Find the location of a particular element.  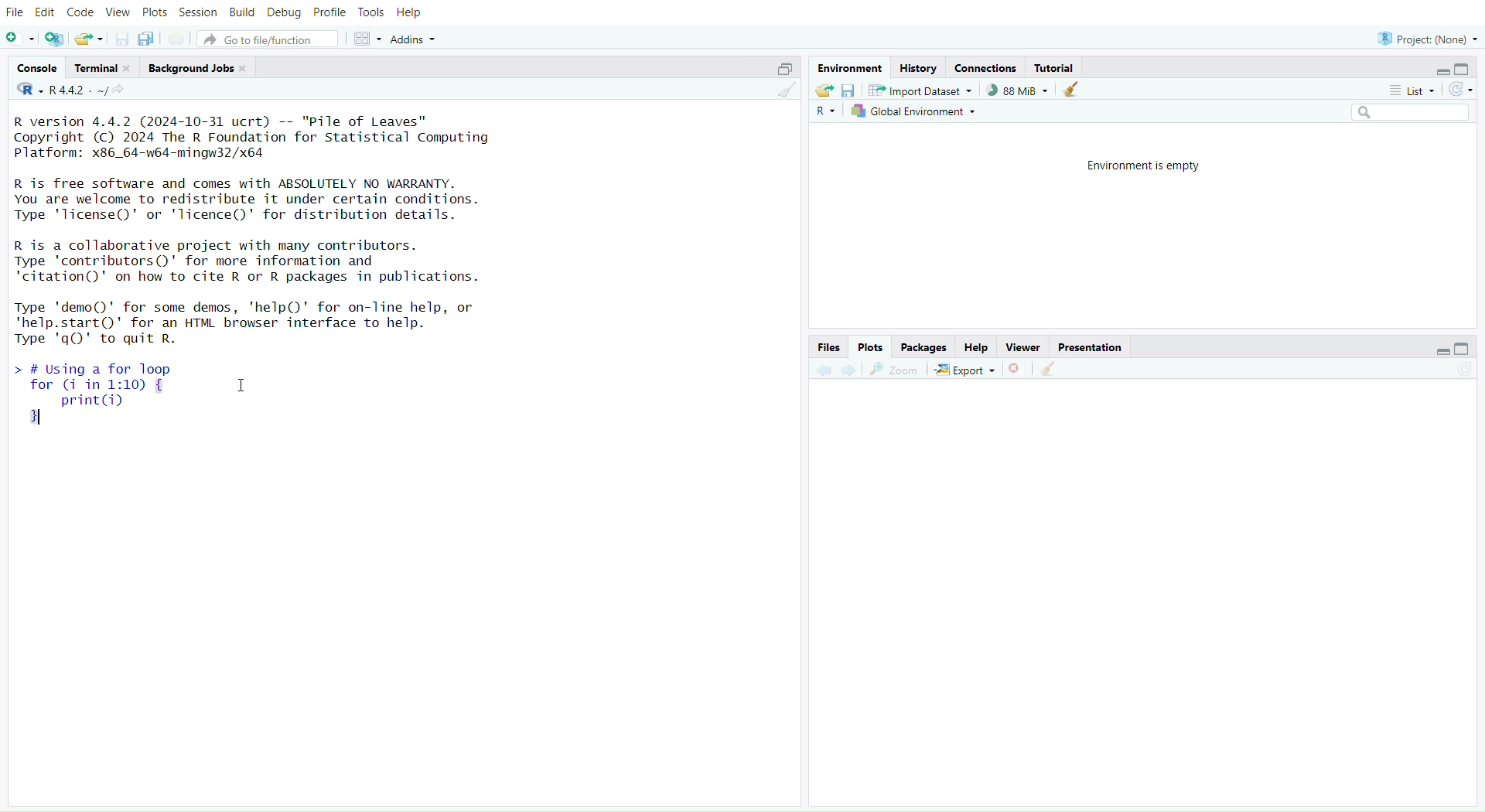

build is located at coordinates (241, 13).